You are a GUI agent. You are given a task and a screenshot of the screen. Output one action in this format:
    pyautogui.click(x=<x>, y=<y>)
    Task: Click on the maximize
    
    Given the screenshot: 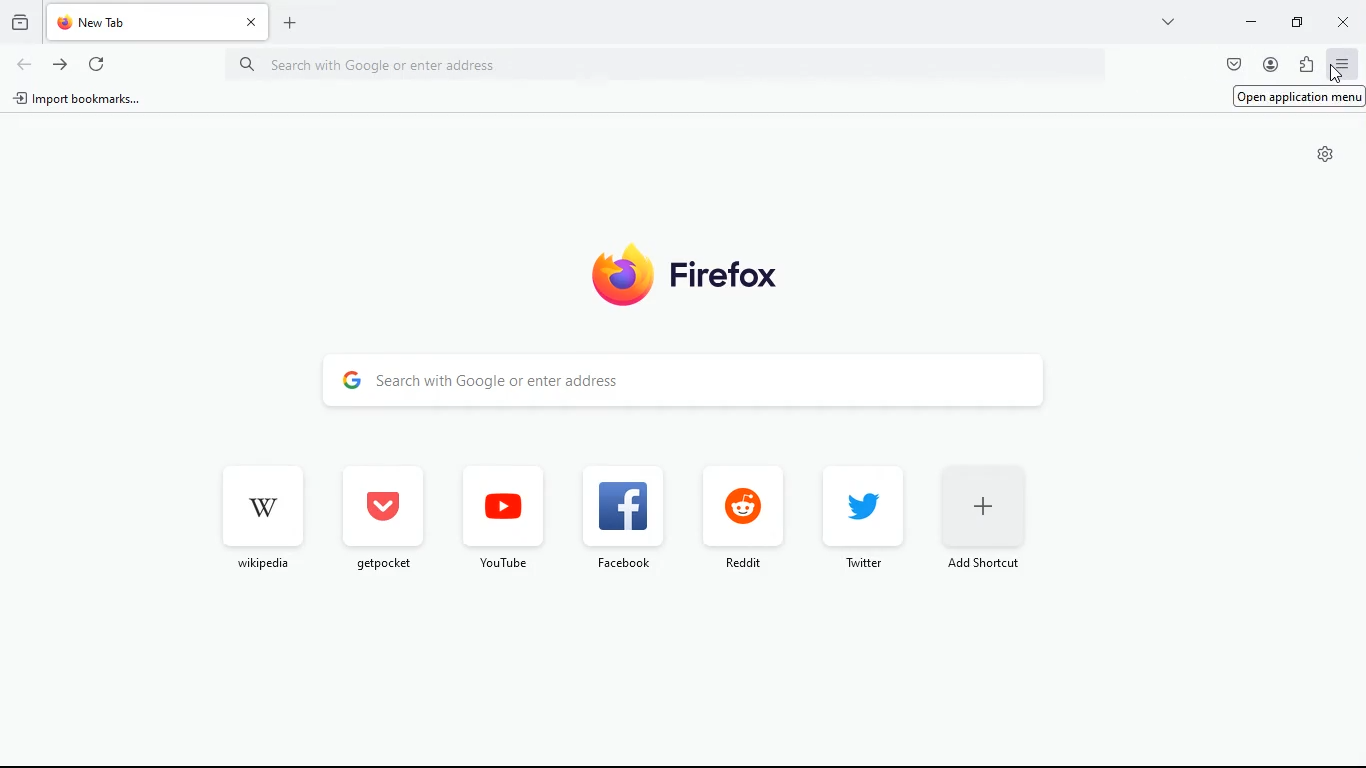 What is the action you would take?
    pyautogui.click(x=1291, y=22)
    